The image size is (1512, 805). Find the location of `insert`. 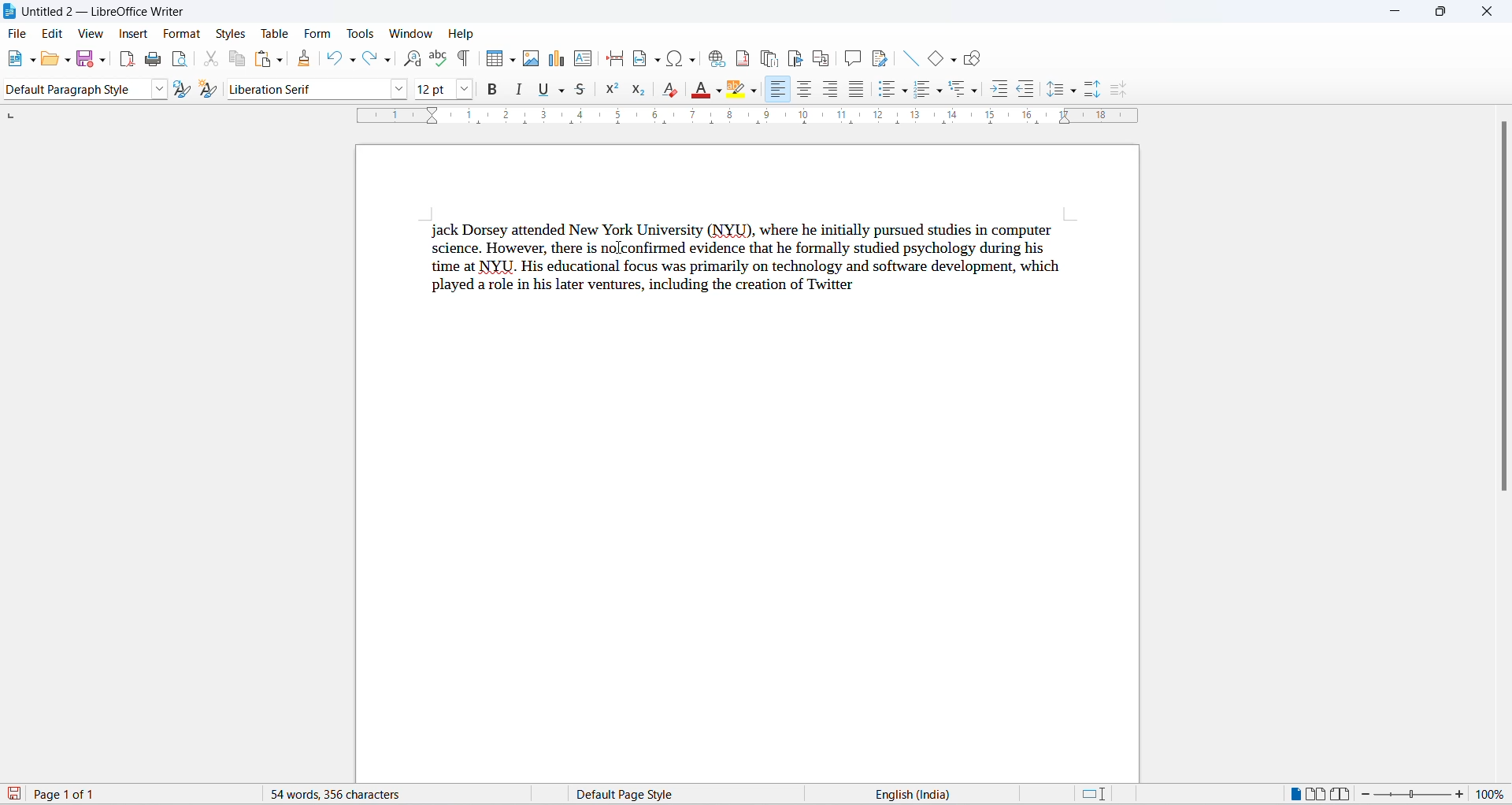

insert is located at coordinates (134, 35).